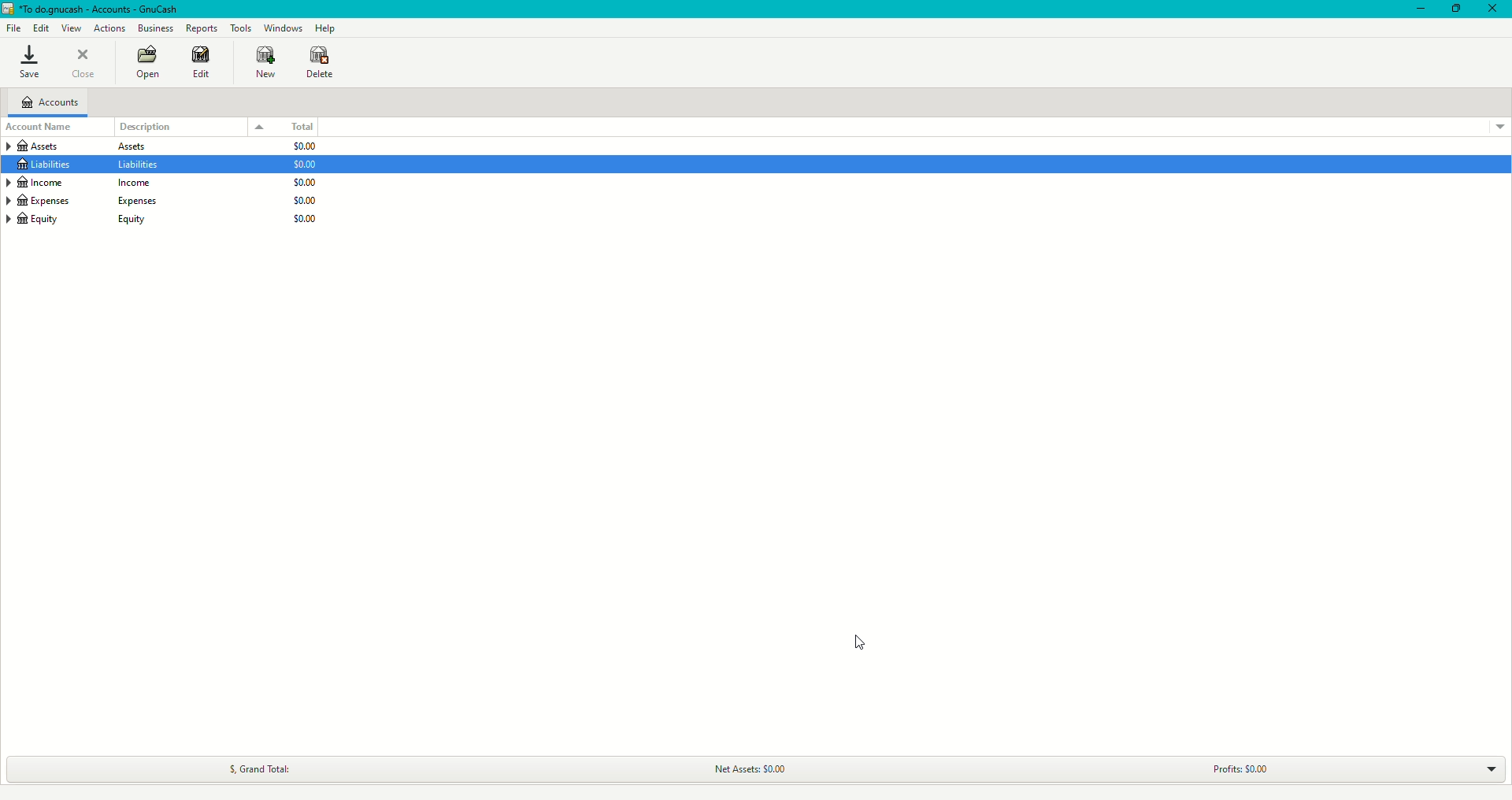 The image size is (1512, 800). I want to click on Assets, so click(89, 147).